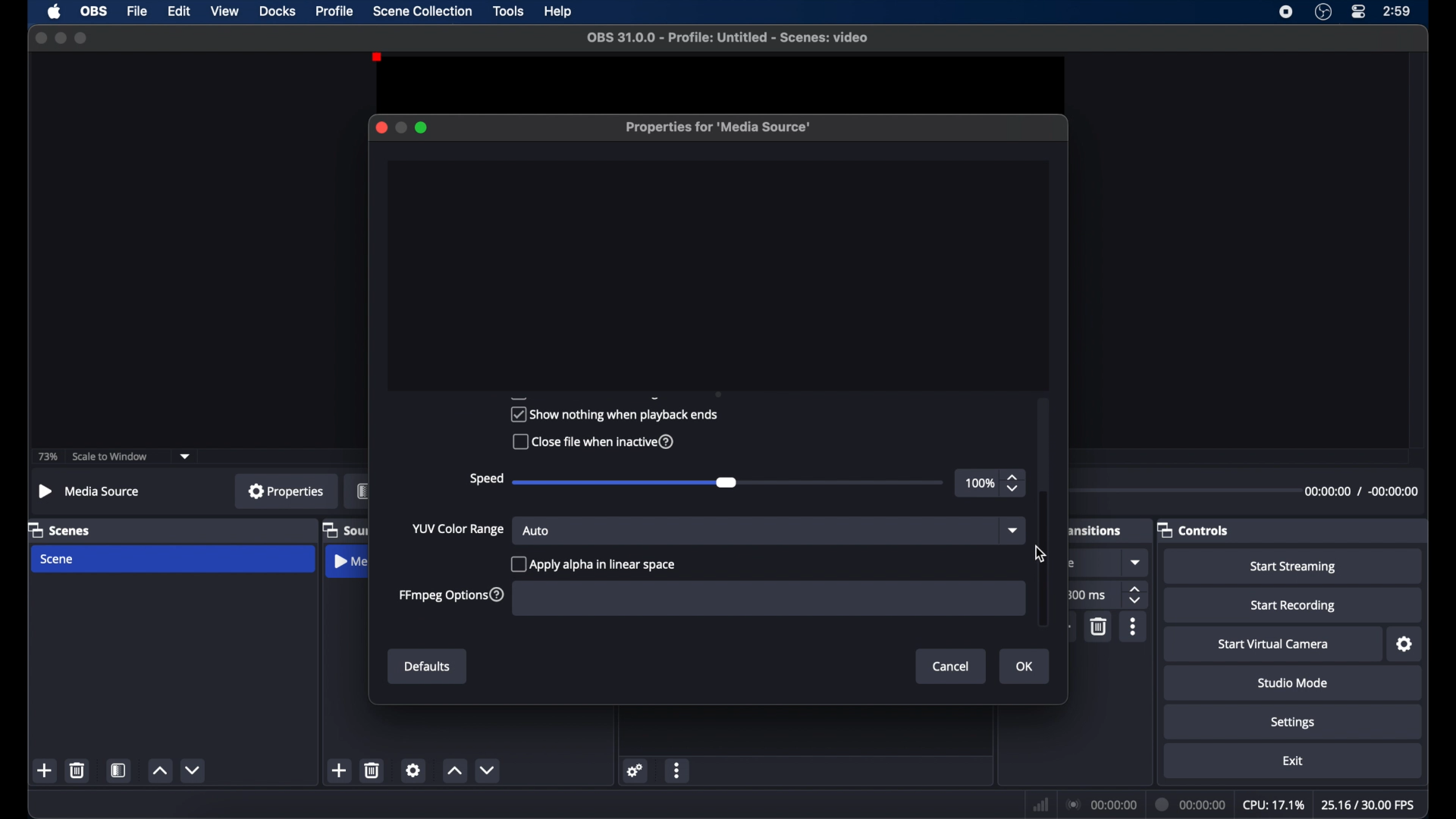 The width and height of the screenshot is (1456, 819). What do you see at coordinates (1357, 12) in the screenshot?
I see `control center` at bounding box center [1357, 12].